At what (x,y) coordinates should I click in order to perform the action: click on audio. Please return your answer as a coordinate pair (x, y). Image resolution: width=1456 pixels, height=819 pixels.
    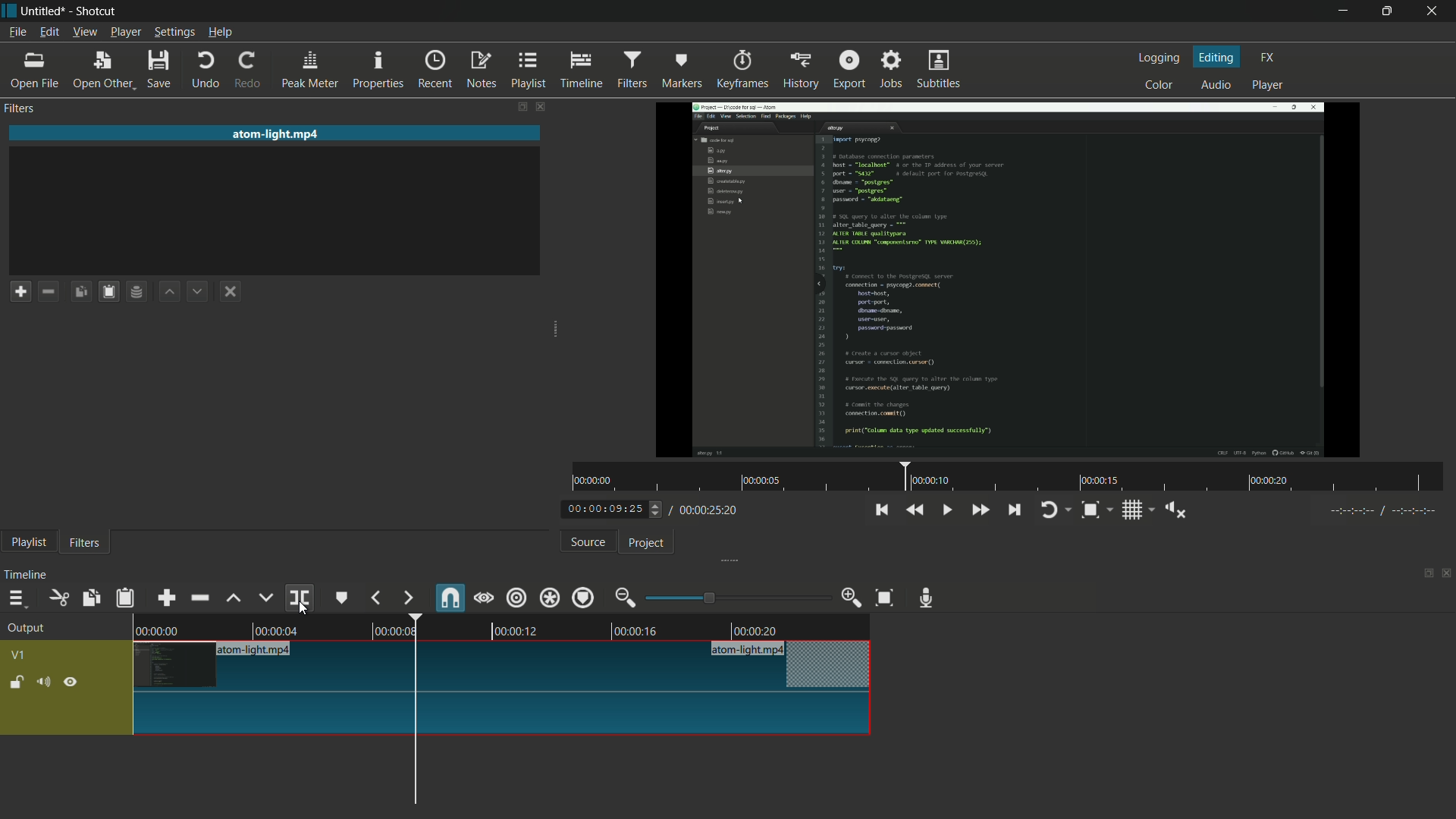
    Looking at the image, I should click on (1217, 84).